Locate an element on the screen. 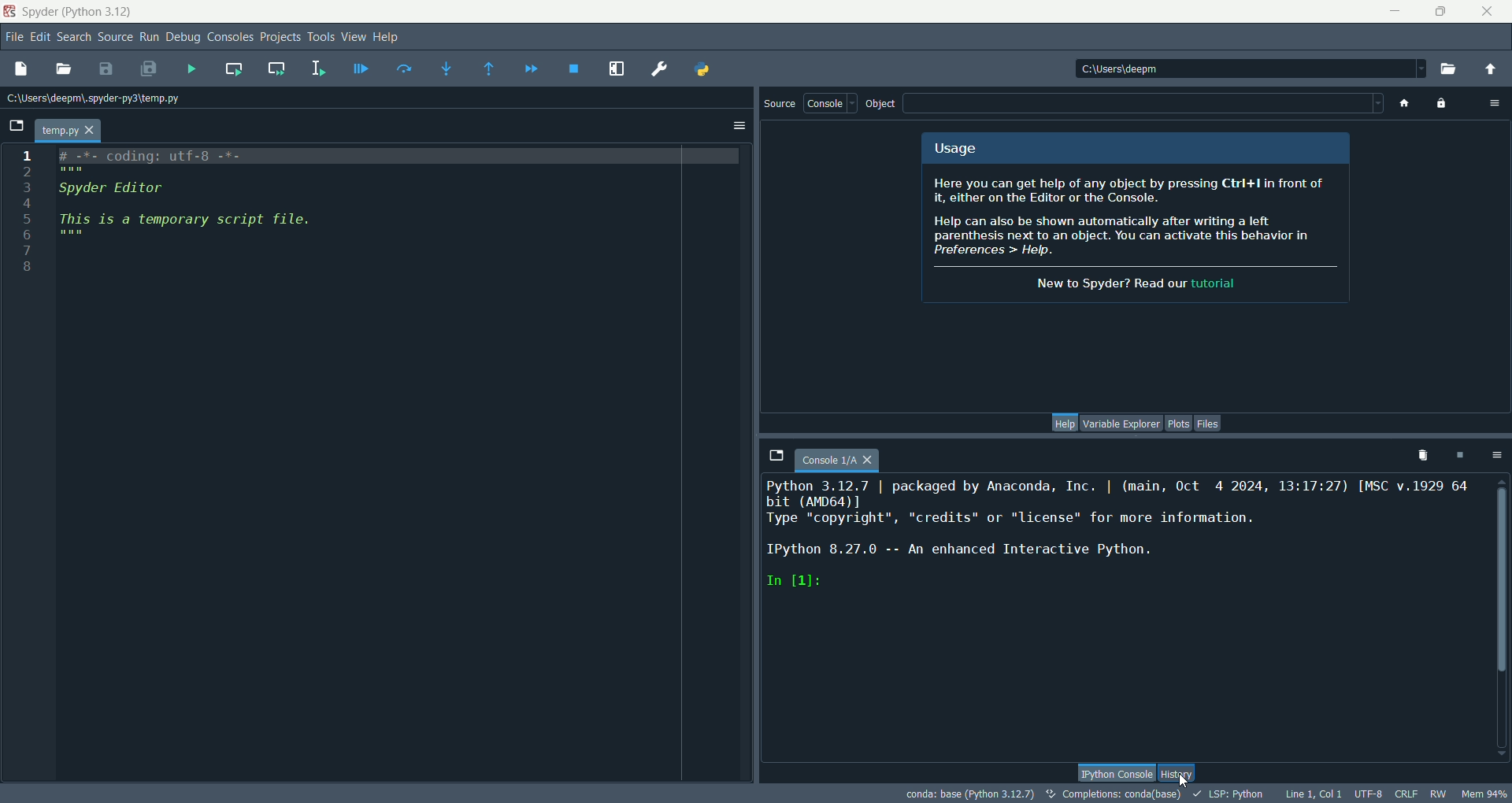  file is located at coordinates (15, 37).